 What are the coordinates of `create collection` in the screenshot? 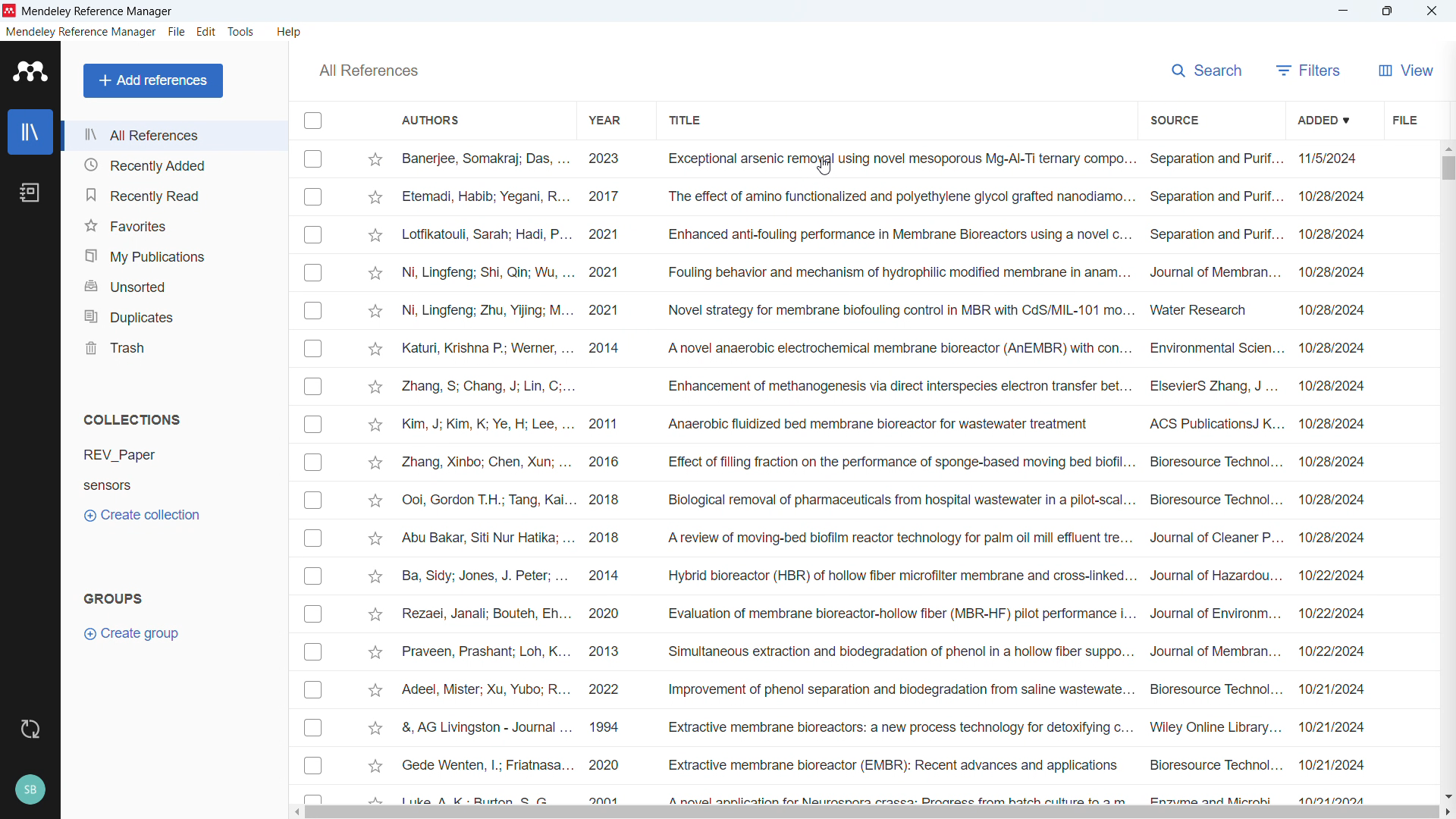 It's located at (144, 514).